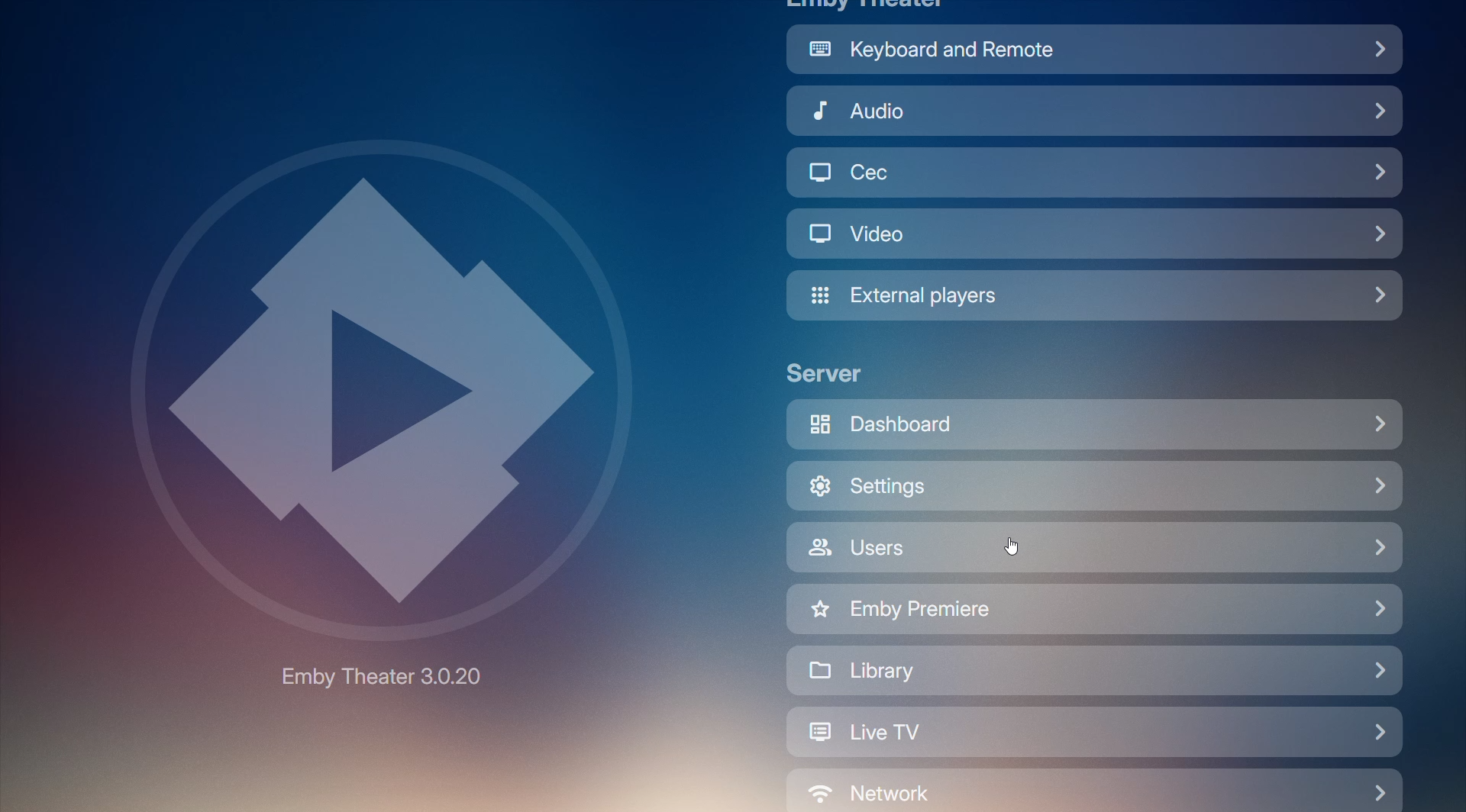 The image size is (1466, 812). I want to click on Emby Logo, so click(360, 382).